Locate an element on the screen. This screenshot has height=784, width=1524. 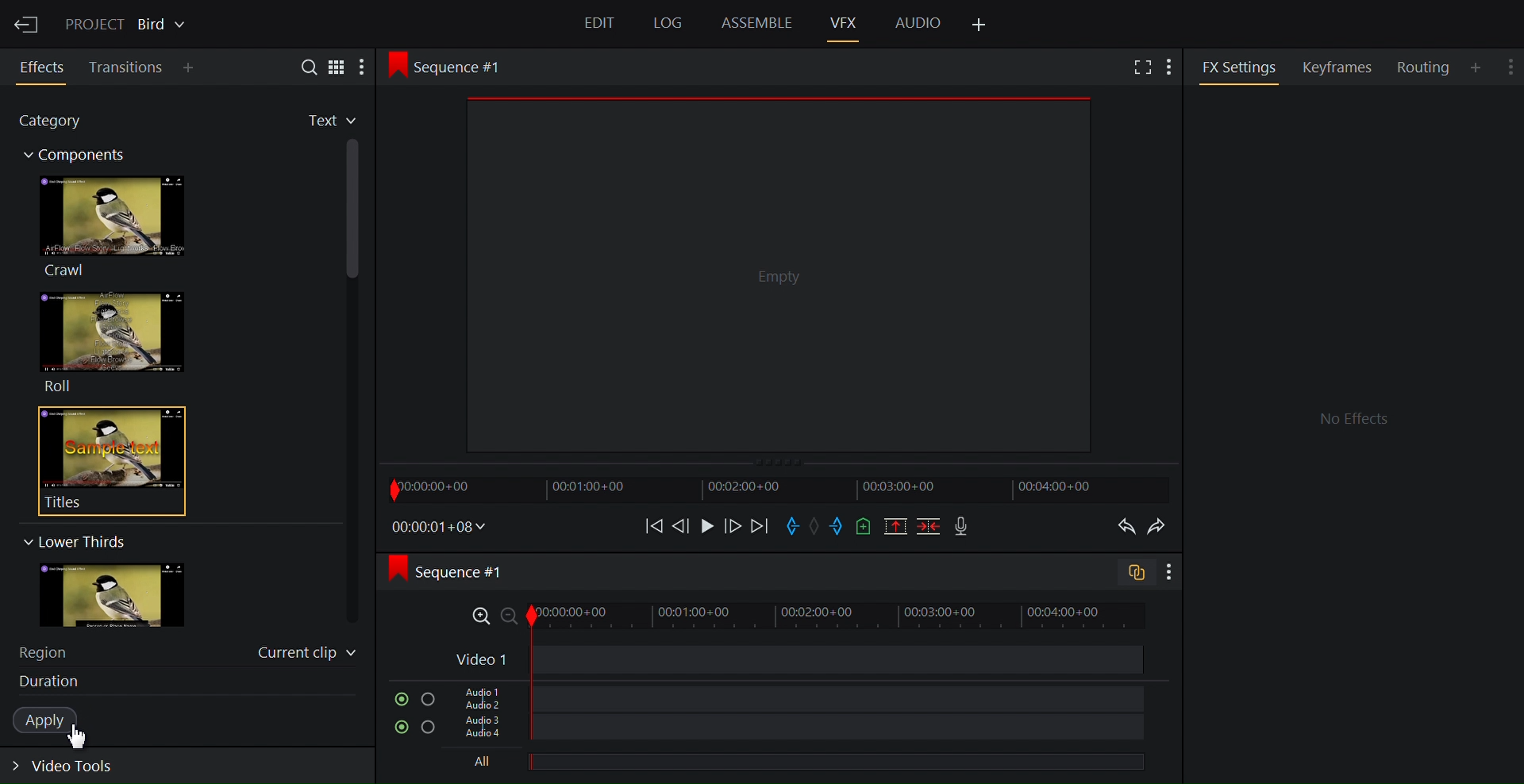
Add Panel is located at coordinates (1173, 65).